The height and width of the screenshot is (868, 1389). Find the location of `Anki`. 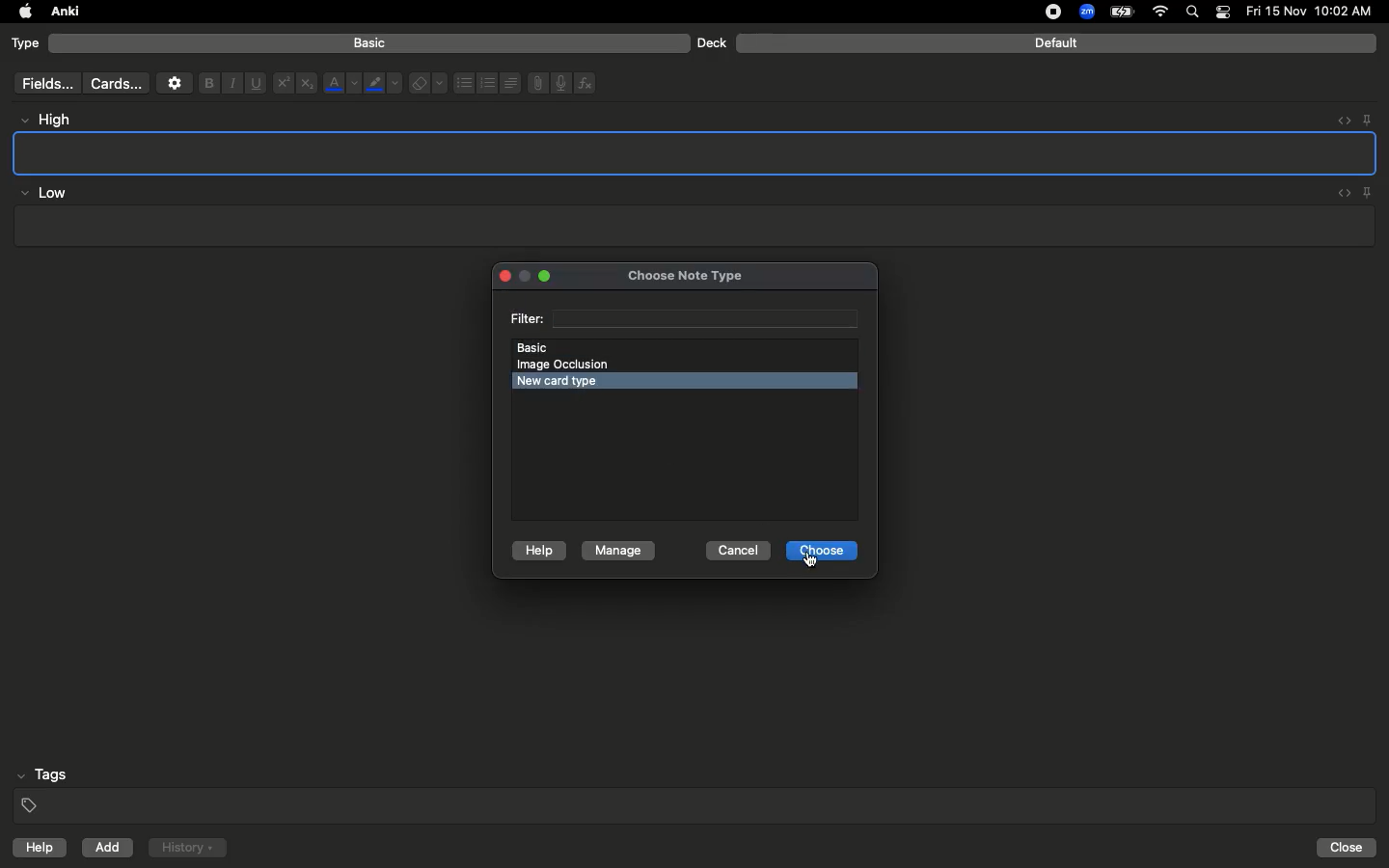

Anki is located at coordinates (64, 13).